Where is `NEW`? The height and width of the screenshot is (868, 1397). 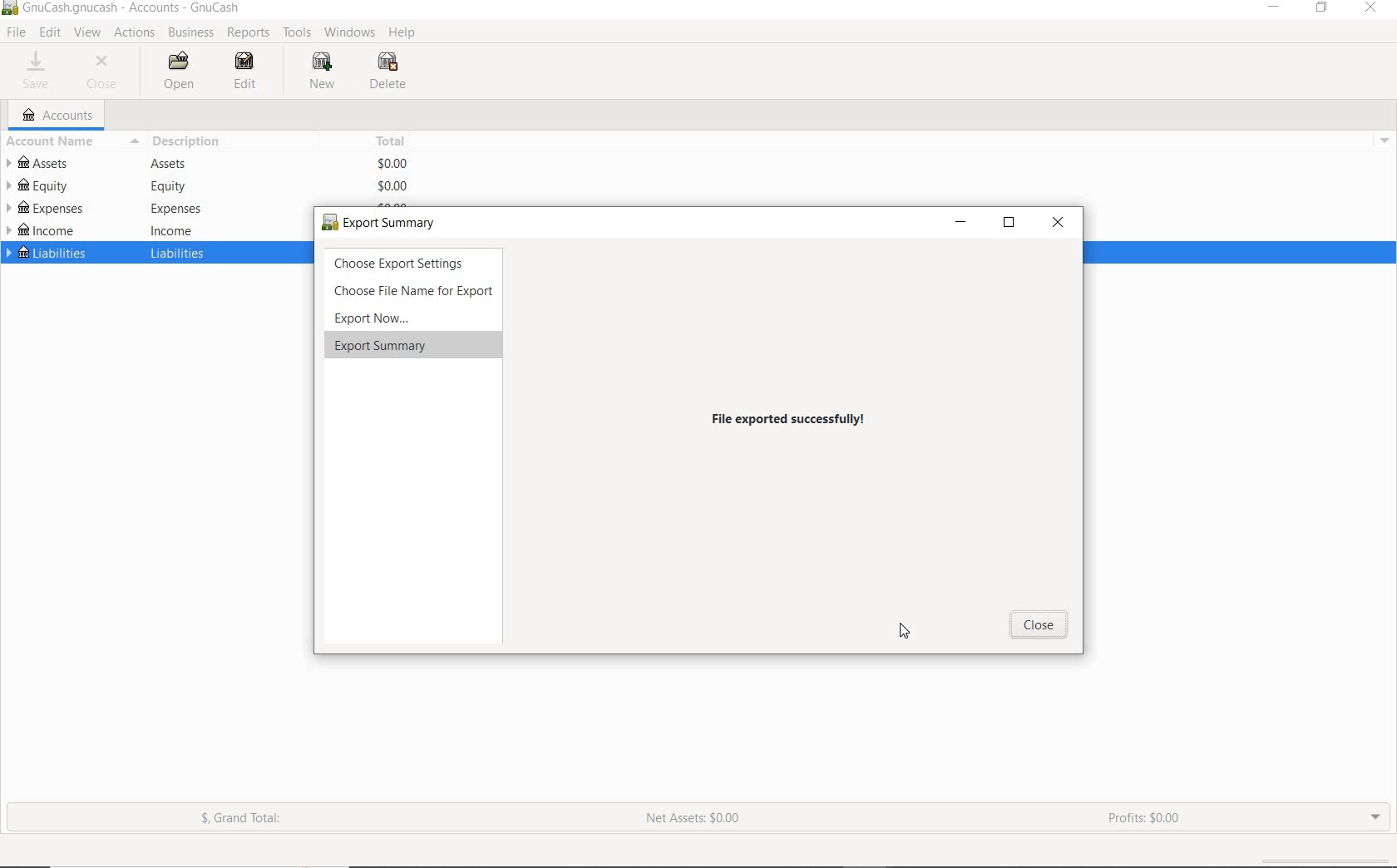 NEW is located at coordinates (321, 74).